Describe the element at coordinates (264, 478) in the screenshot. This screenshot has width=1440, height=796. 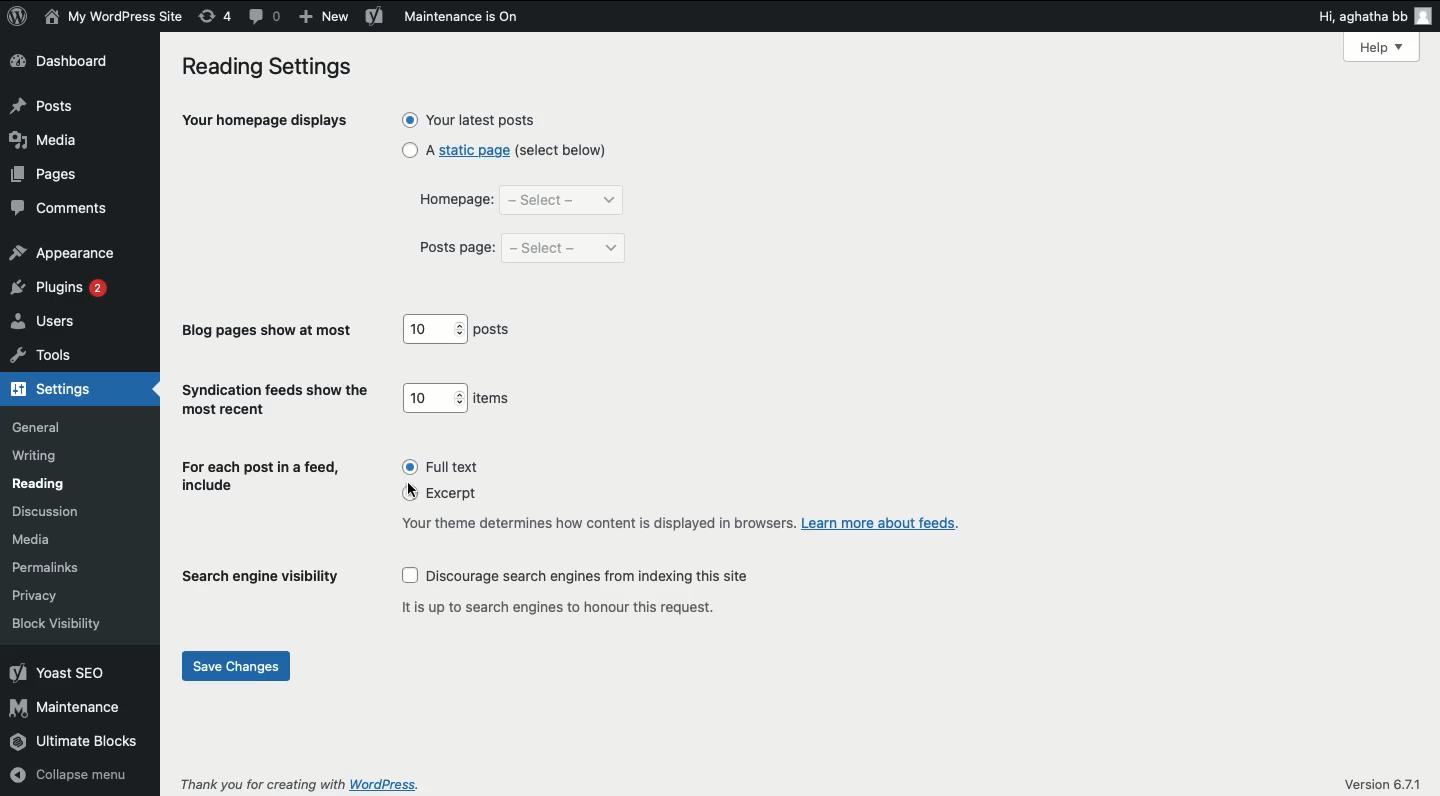
I see `for each post in a feed, include` at that location.